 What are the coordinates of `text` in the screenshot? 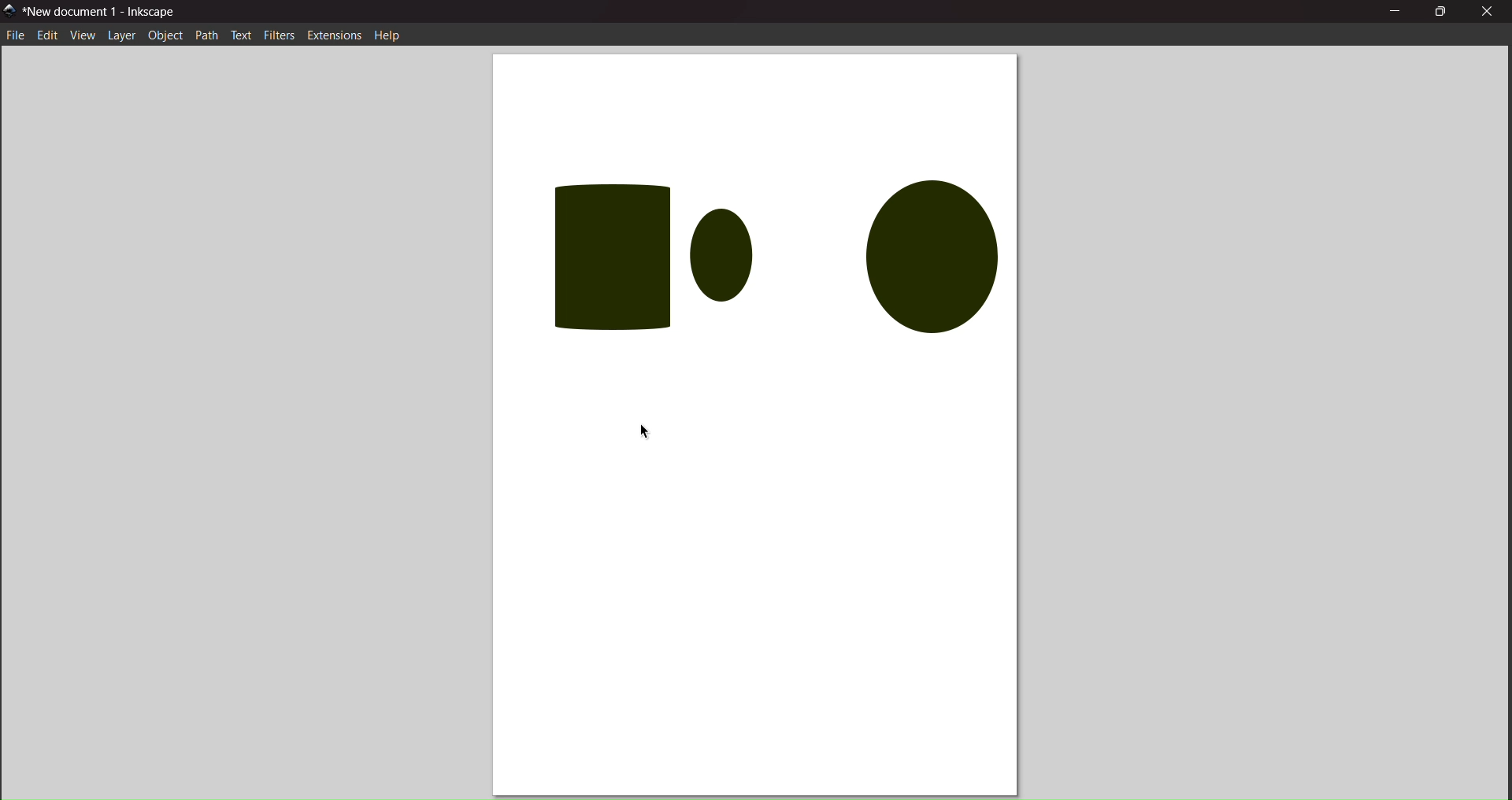 It's located at (241, 35).